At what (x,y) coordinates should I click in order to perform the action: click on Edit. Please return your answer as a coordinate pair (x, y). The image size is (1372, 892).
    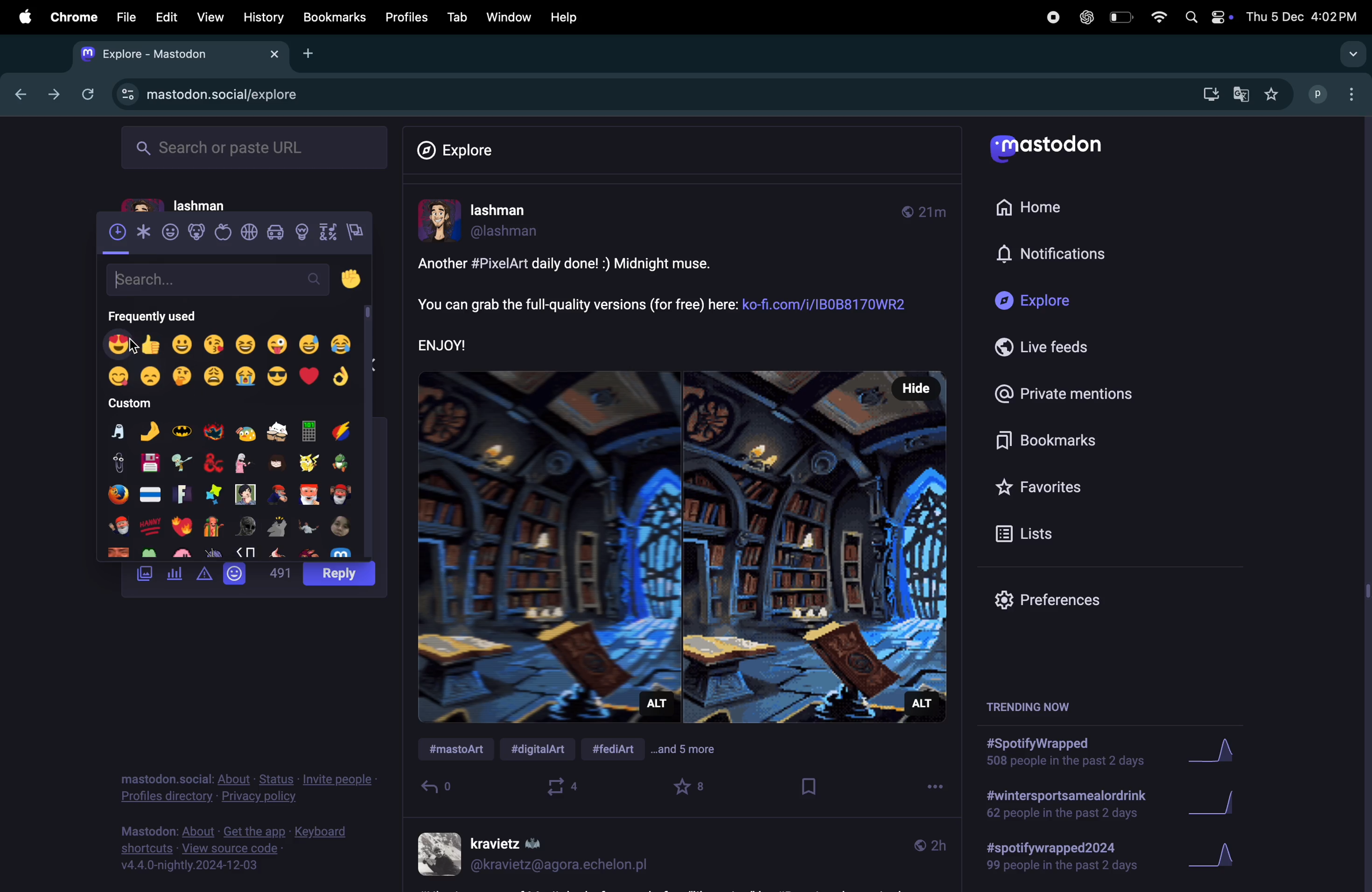
    Looking at the image, I should click on (166, 20).